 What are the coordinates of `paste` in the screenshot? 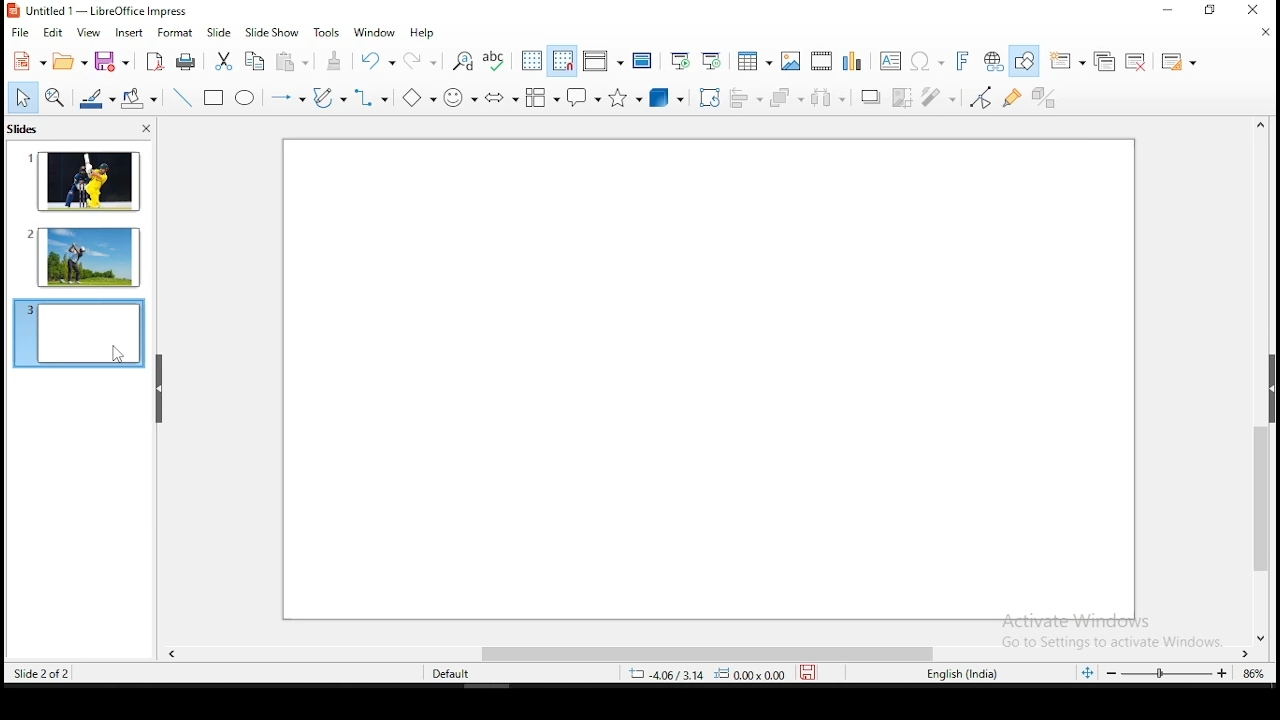 It's located at (290, 62).